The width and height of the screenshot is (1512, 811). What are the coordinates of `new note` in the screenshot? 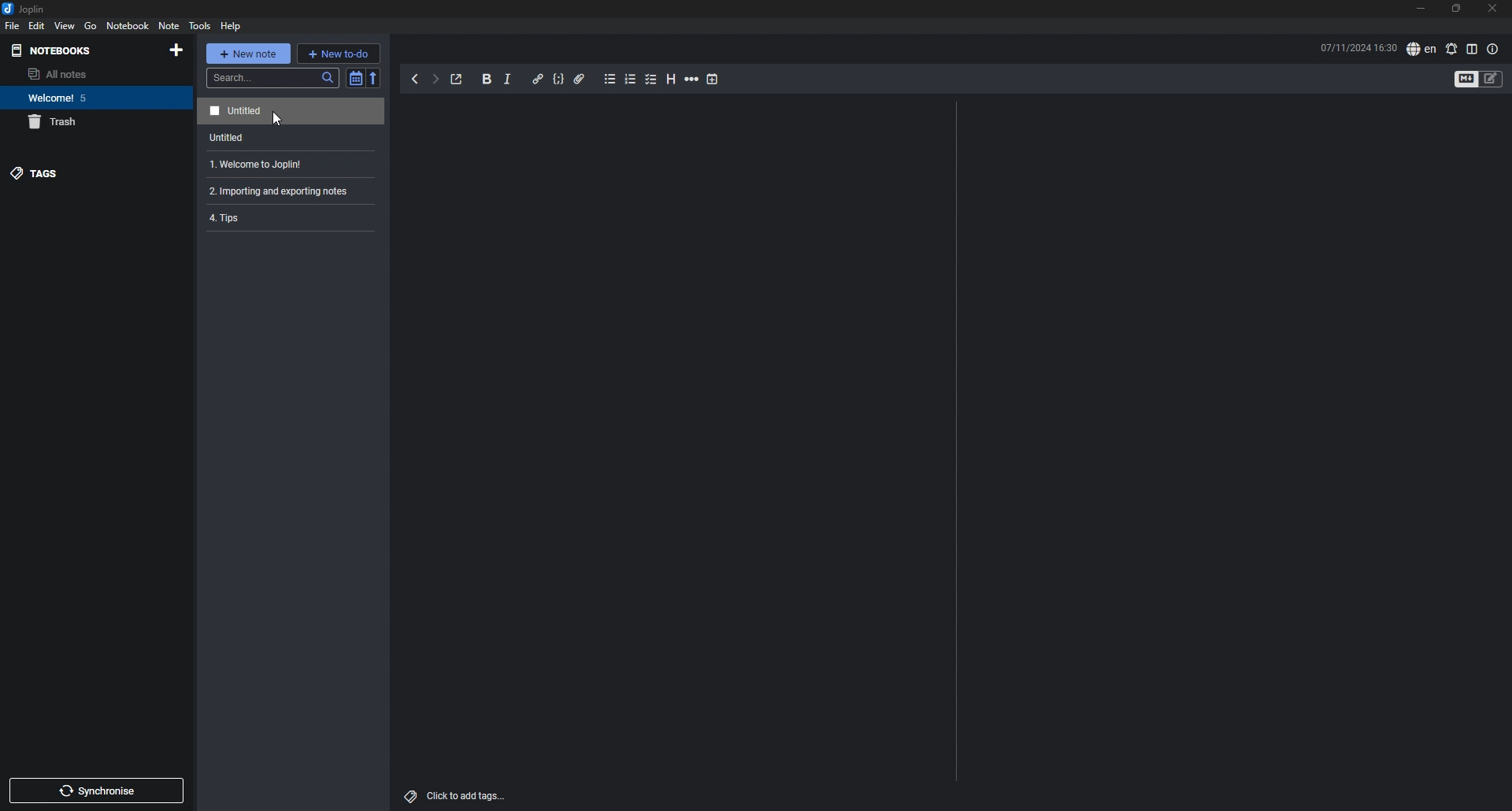 It's located at (249, 53).